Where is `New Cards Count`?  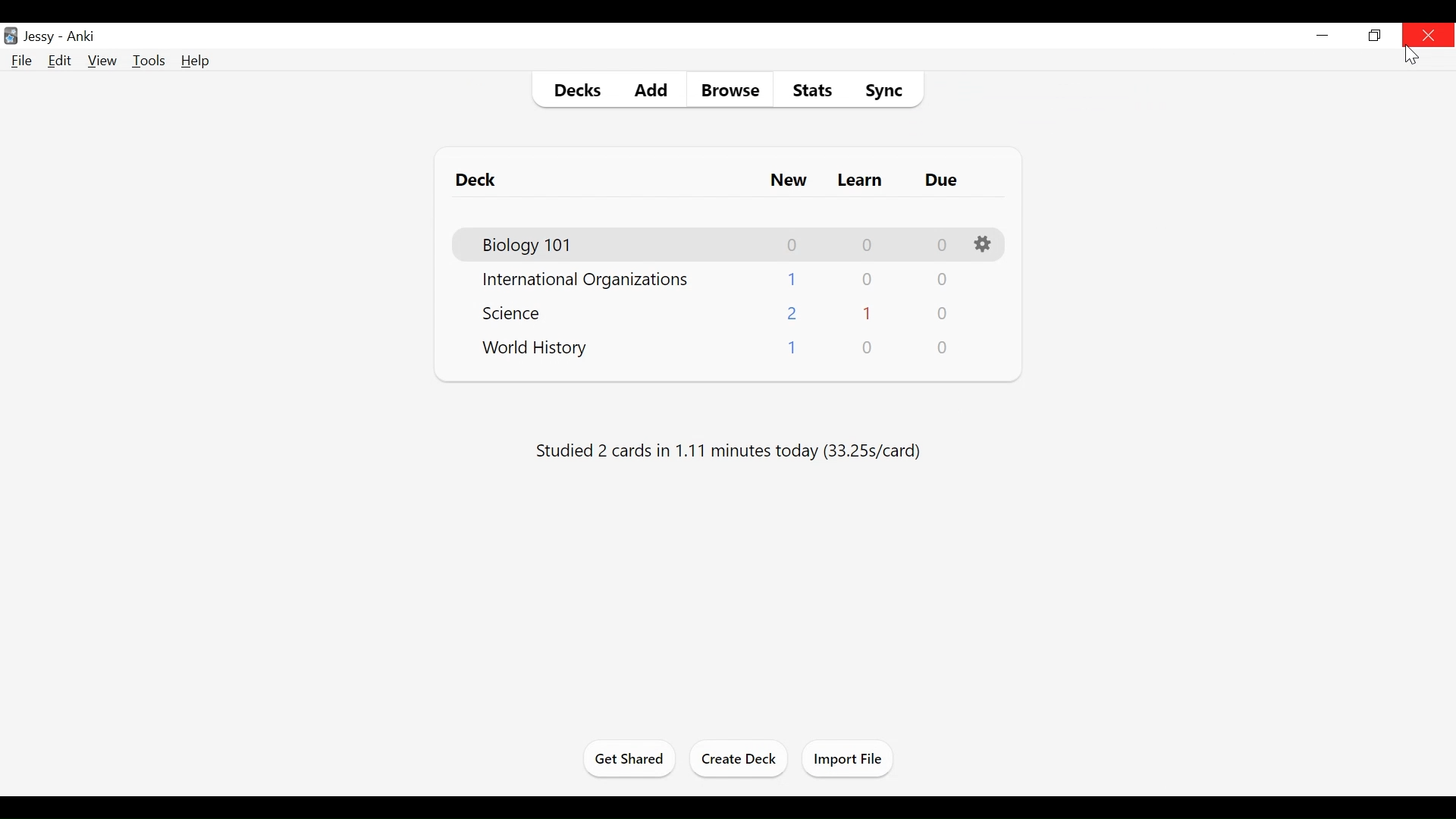
New Cards Count is located at coordinates (791, 280).